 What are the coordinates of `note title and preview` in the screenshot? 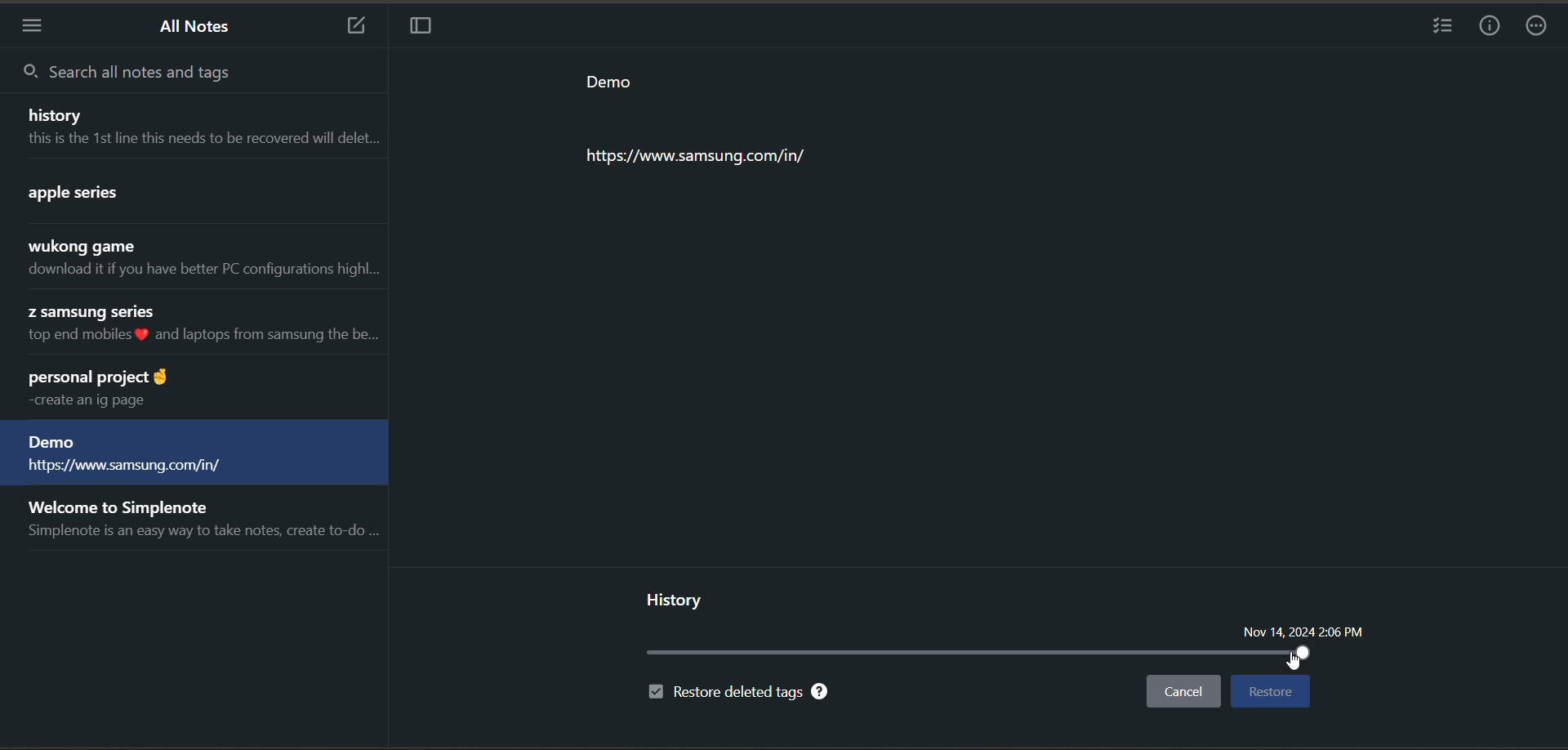 It's located at (194, 125).